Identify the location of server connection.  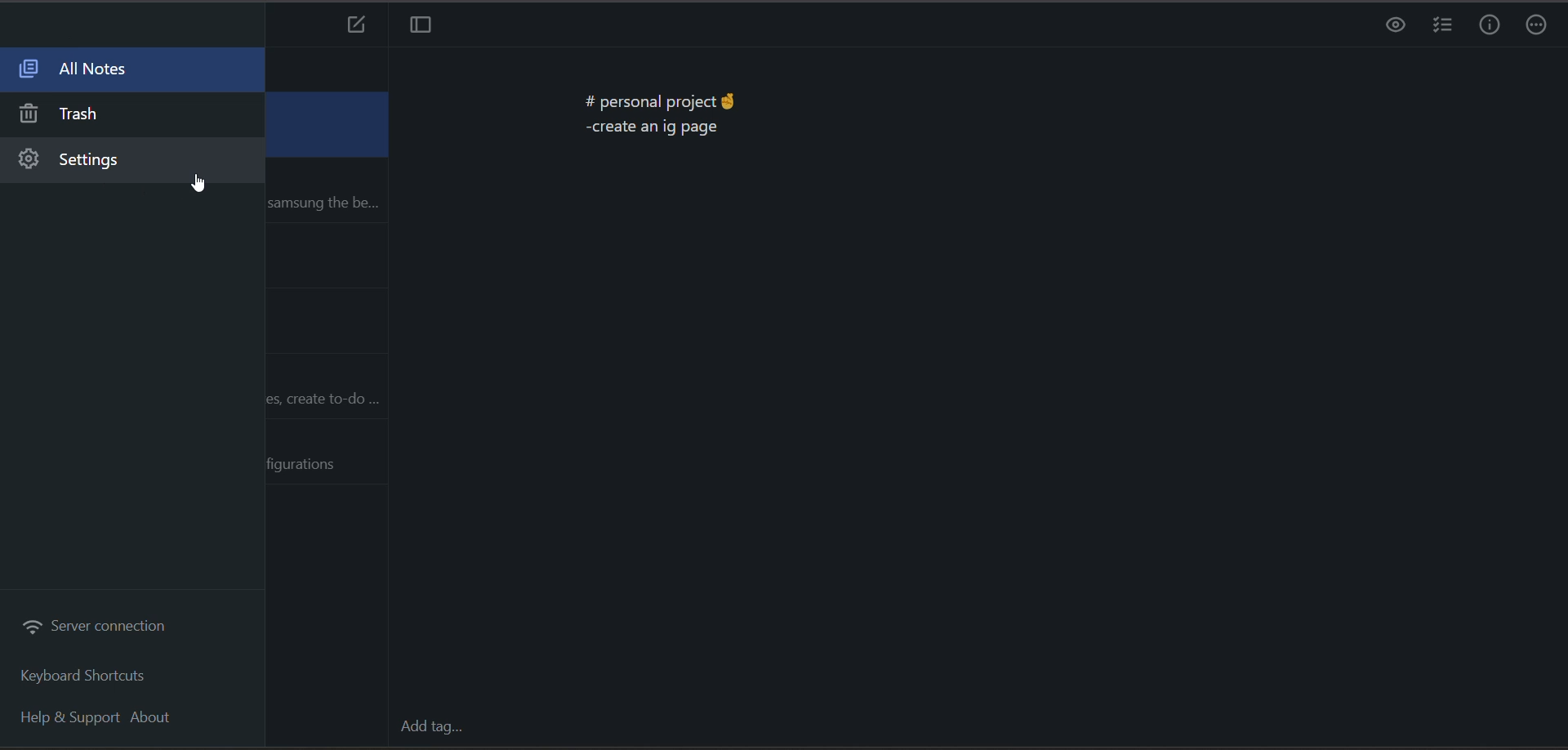
(97, 626).